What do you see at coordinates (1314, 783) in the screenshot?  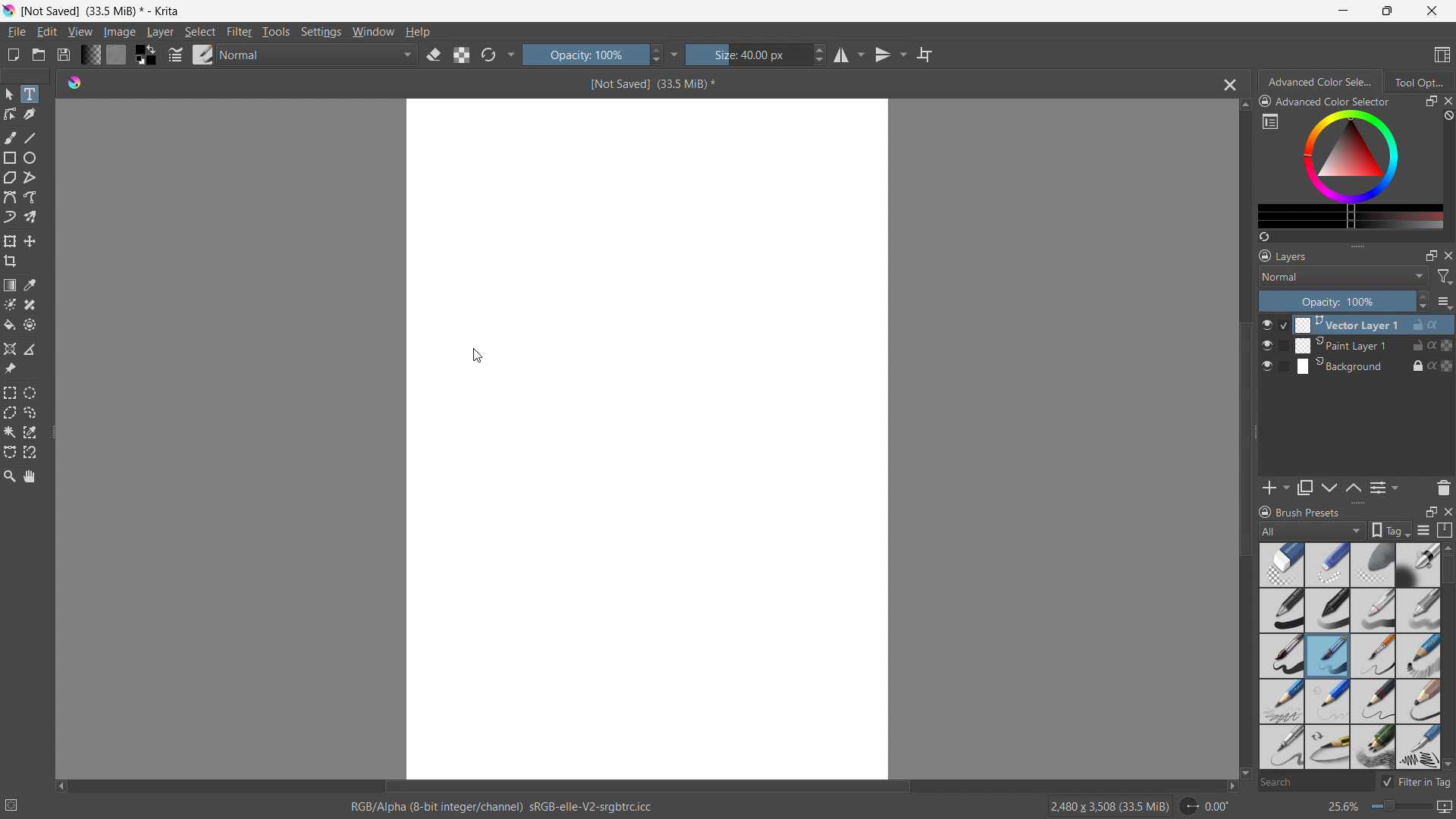 I see `search` at bounding box center [1314, 783].